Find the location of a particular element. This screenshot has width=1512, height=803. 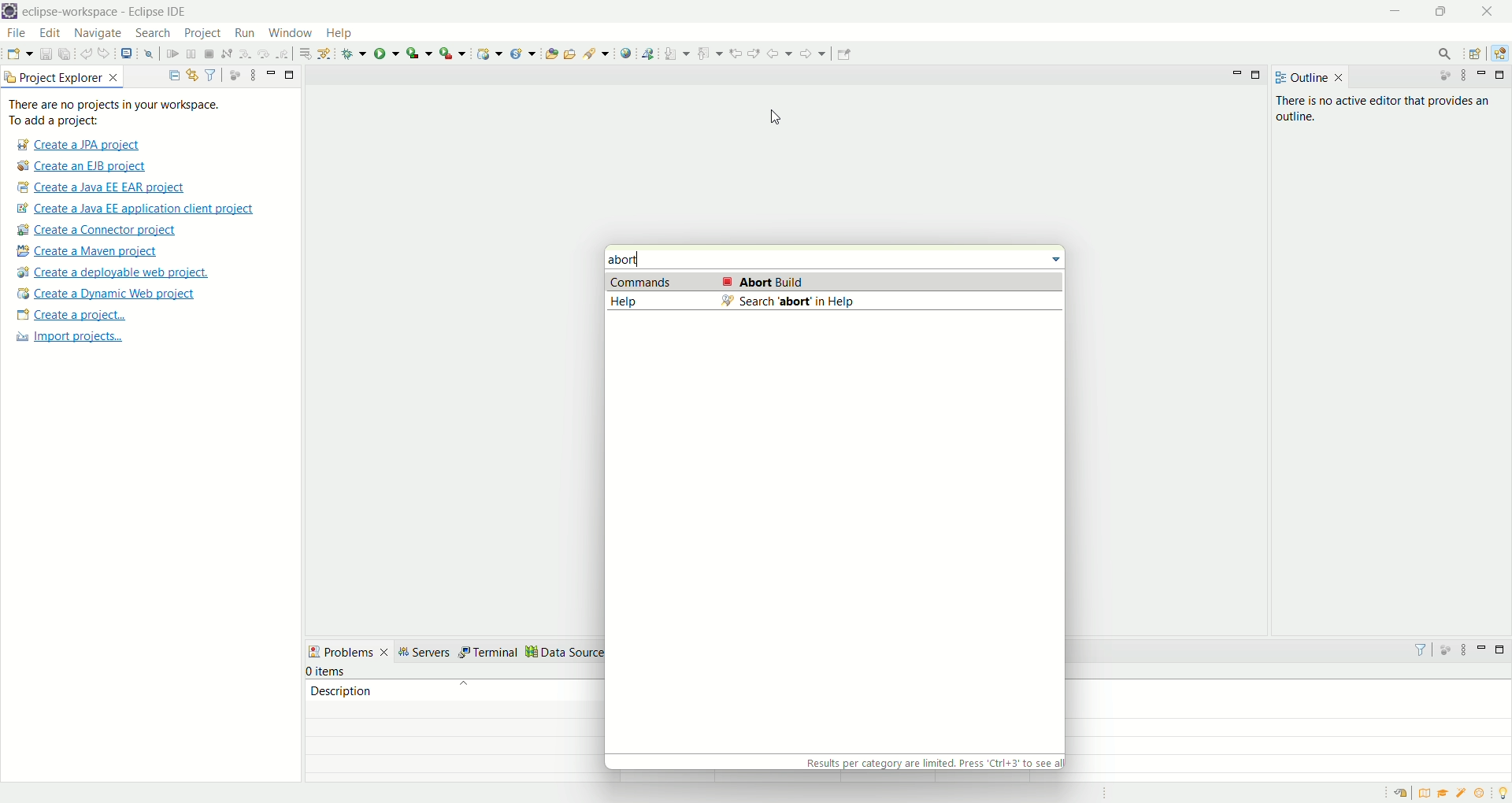

restore welcome is located at coordinates (1401, 793).